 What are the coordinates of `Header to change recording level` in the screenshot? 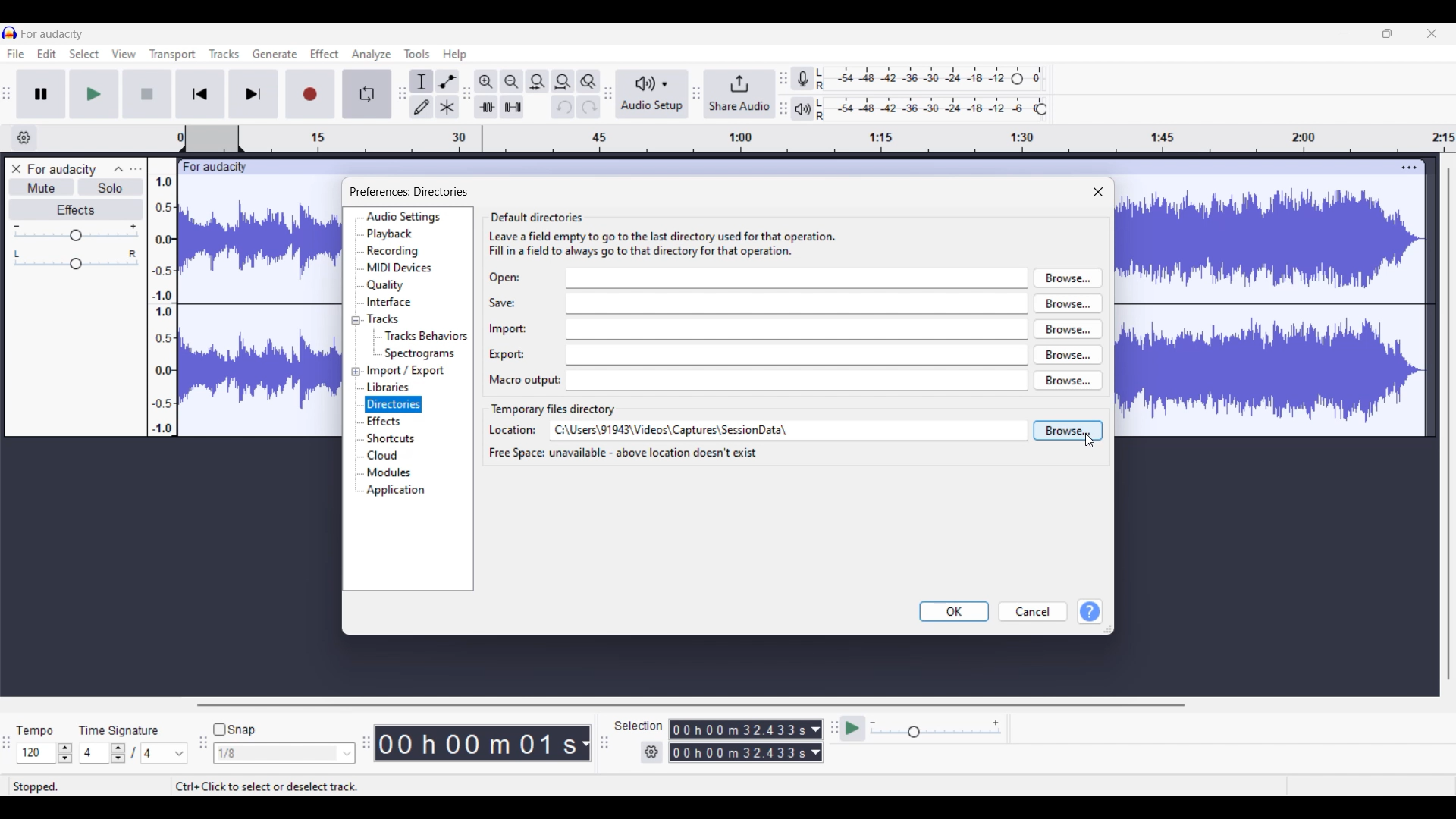 It's located at (1017, 79).